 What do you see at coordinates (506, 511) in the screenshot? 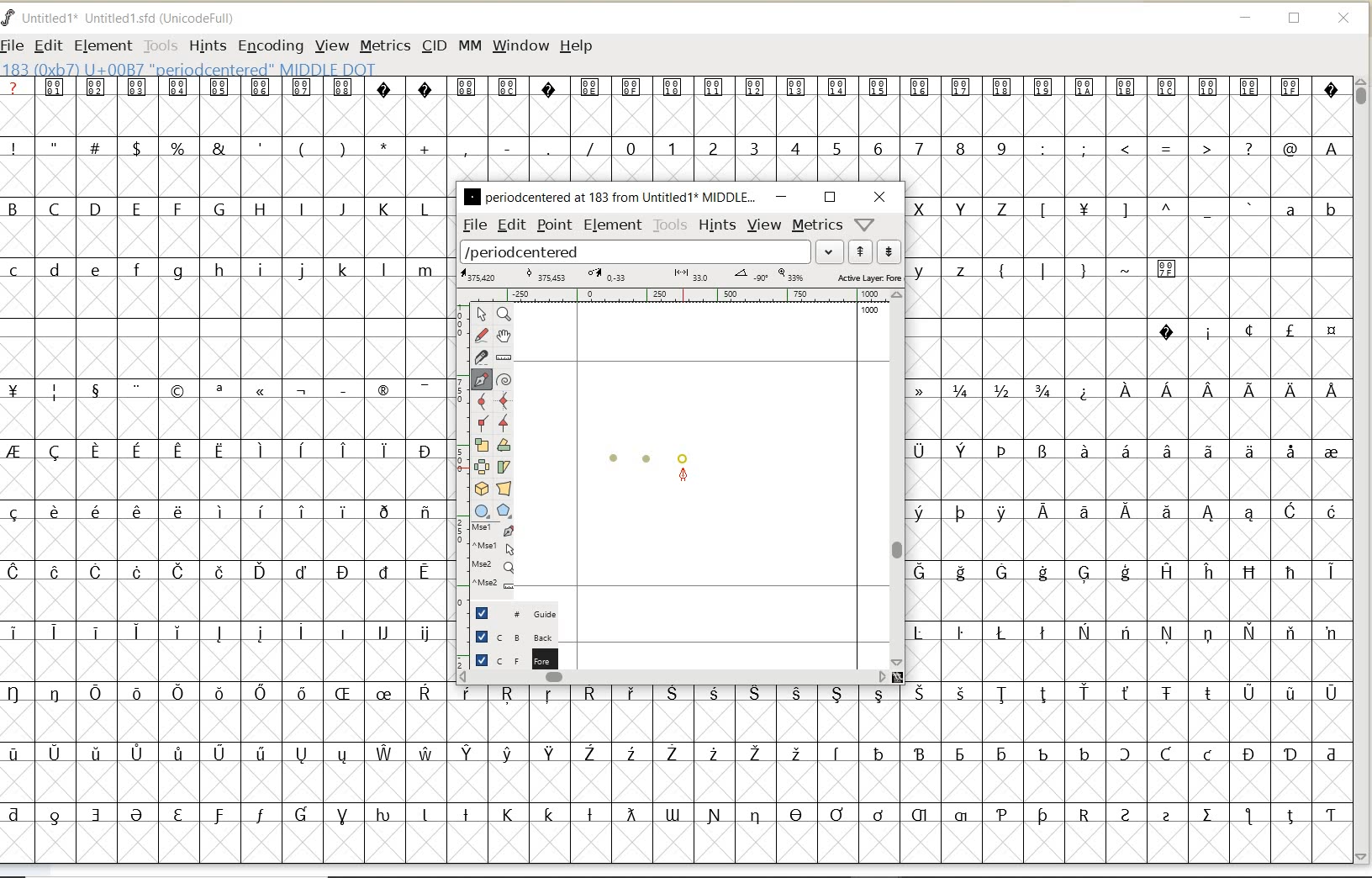
I see `polygon or star` at bounding box center [506, 511].